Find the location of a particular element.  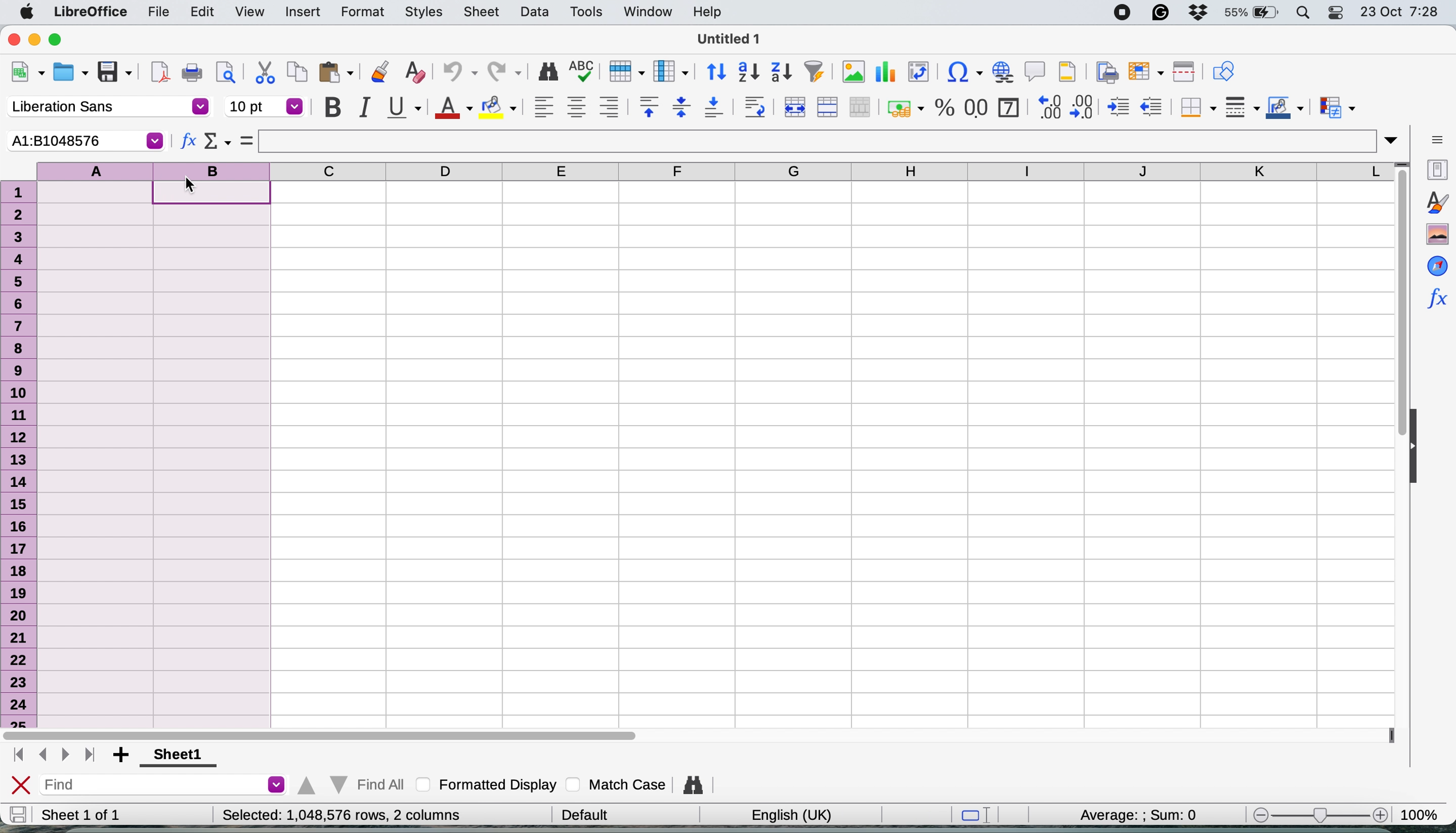

screen recorder is located at coordinates (1117, 12).